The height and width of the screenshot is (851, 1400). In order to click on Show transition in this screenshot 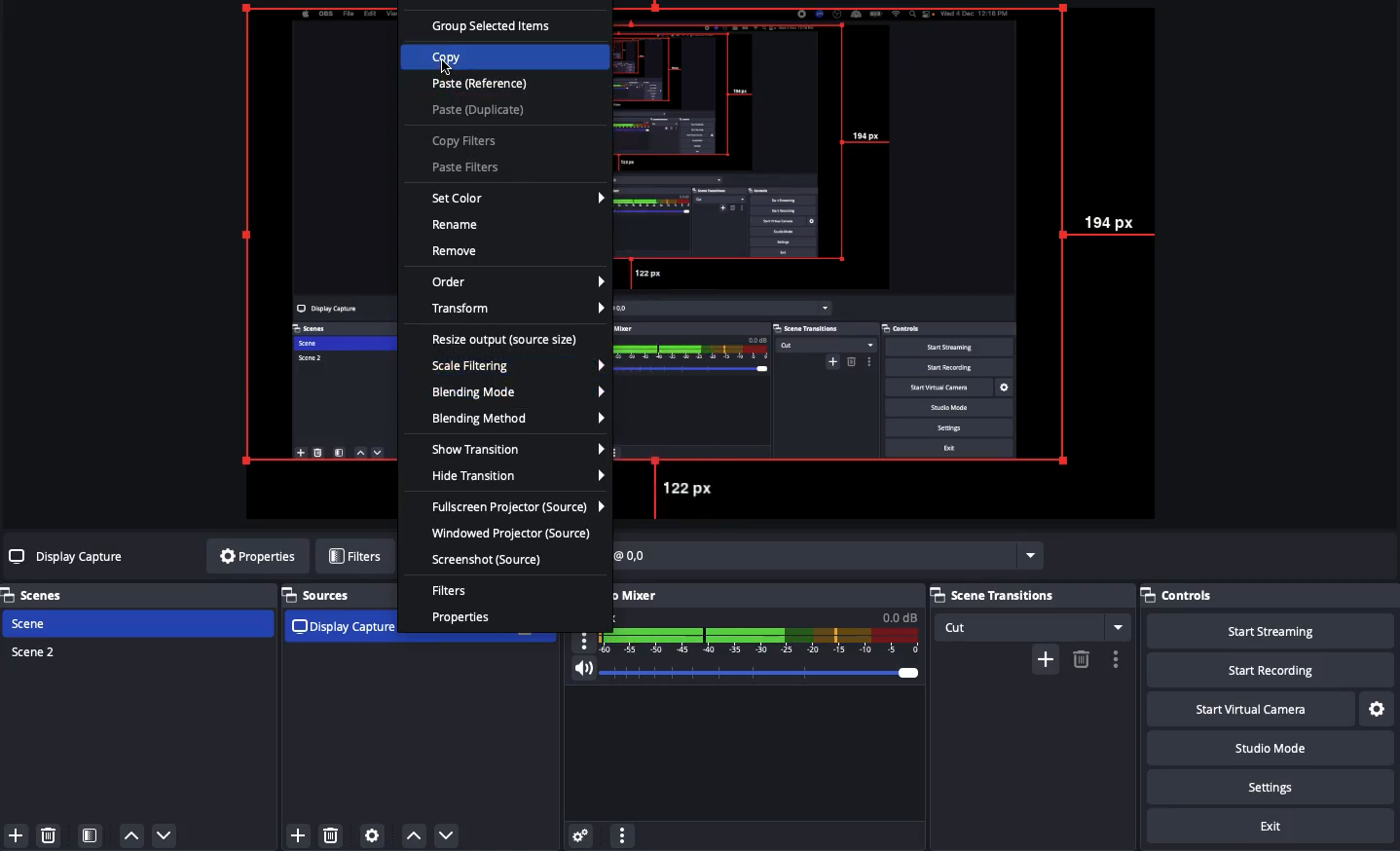, I will do `click(521, 451)`.